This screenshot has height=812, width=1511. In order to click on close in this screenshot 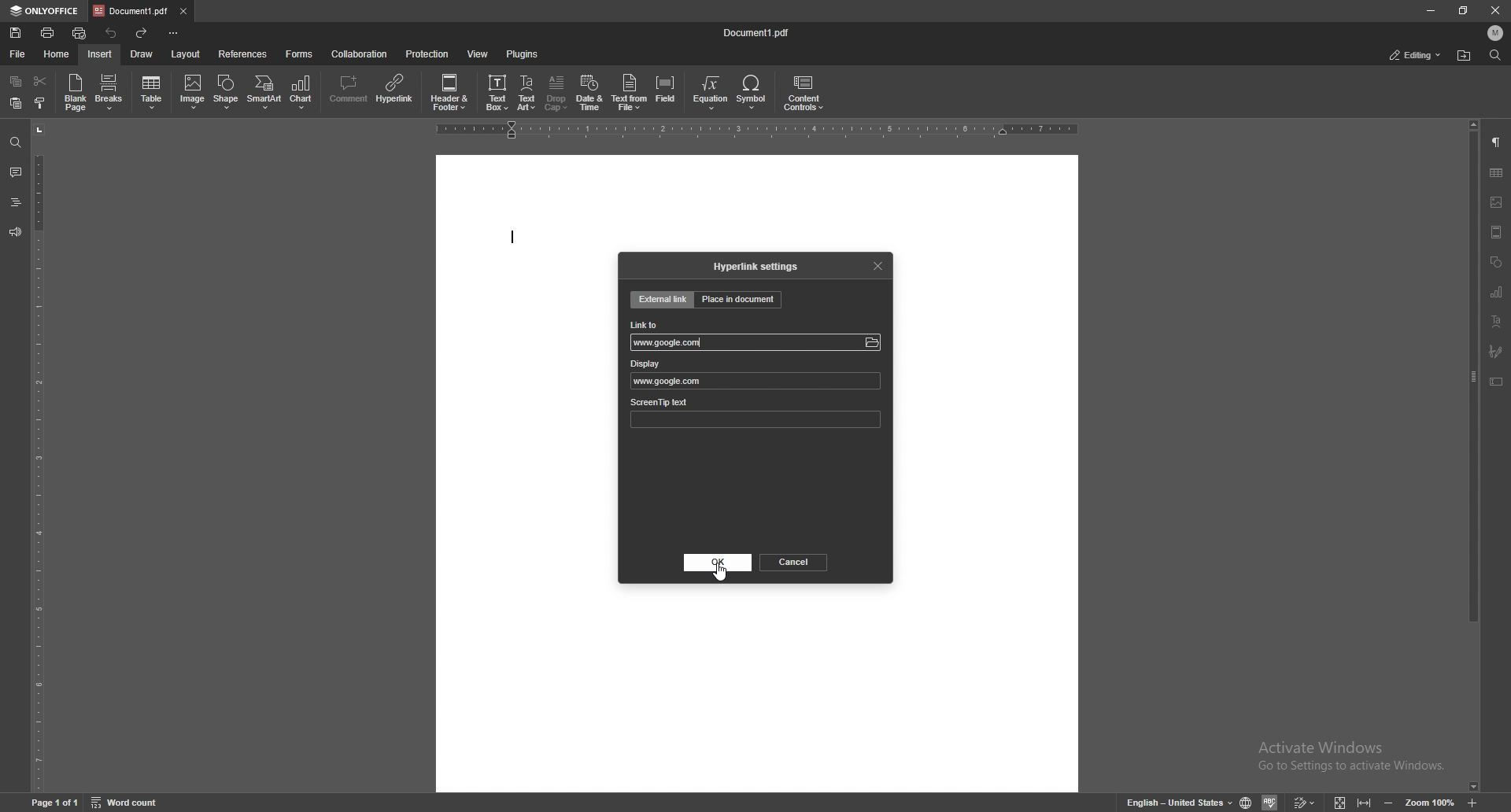, I will do `click(877, 264)`.